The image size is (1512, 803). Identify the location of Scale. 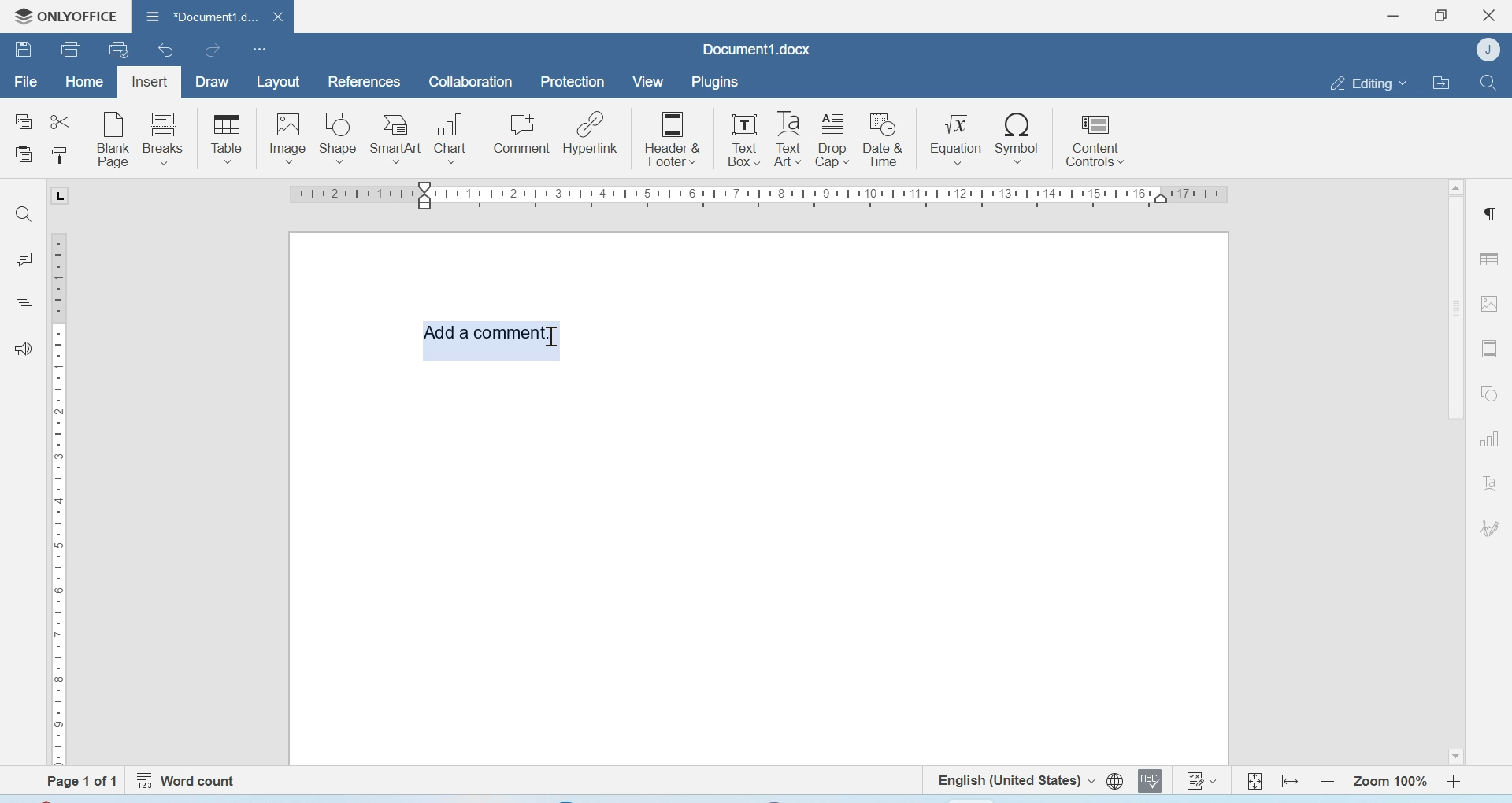
(764, 196).